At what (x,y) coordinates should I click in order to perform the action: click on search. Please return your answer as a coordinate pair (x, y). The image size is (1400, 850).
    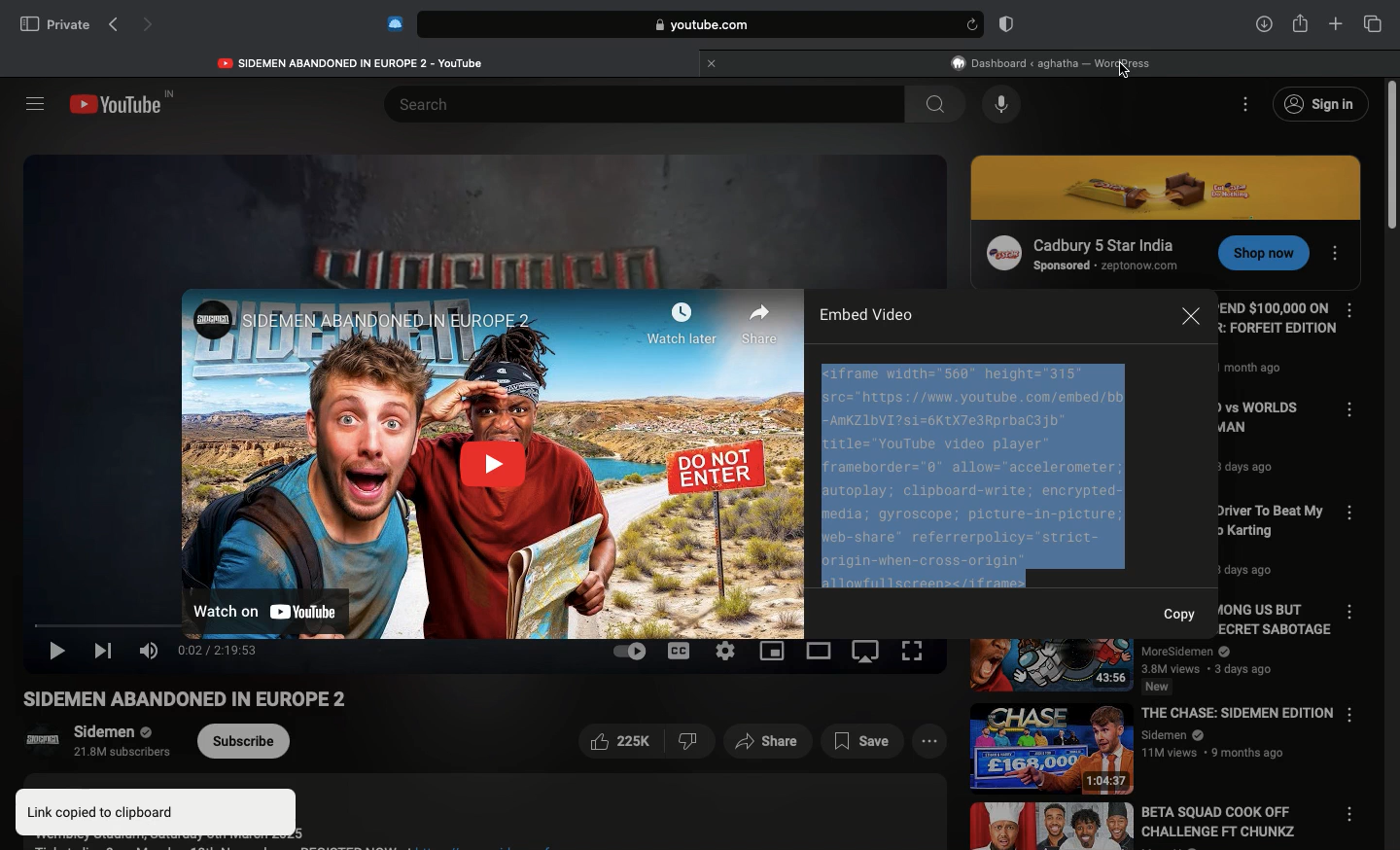
    Looking at the image, I should click on (933, 104).